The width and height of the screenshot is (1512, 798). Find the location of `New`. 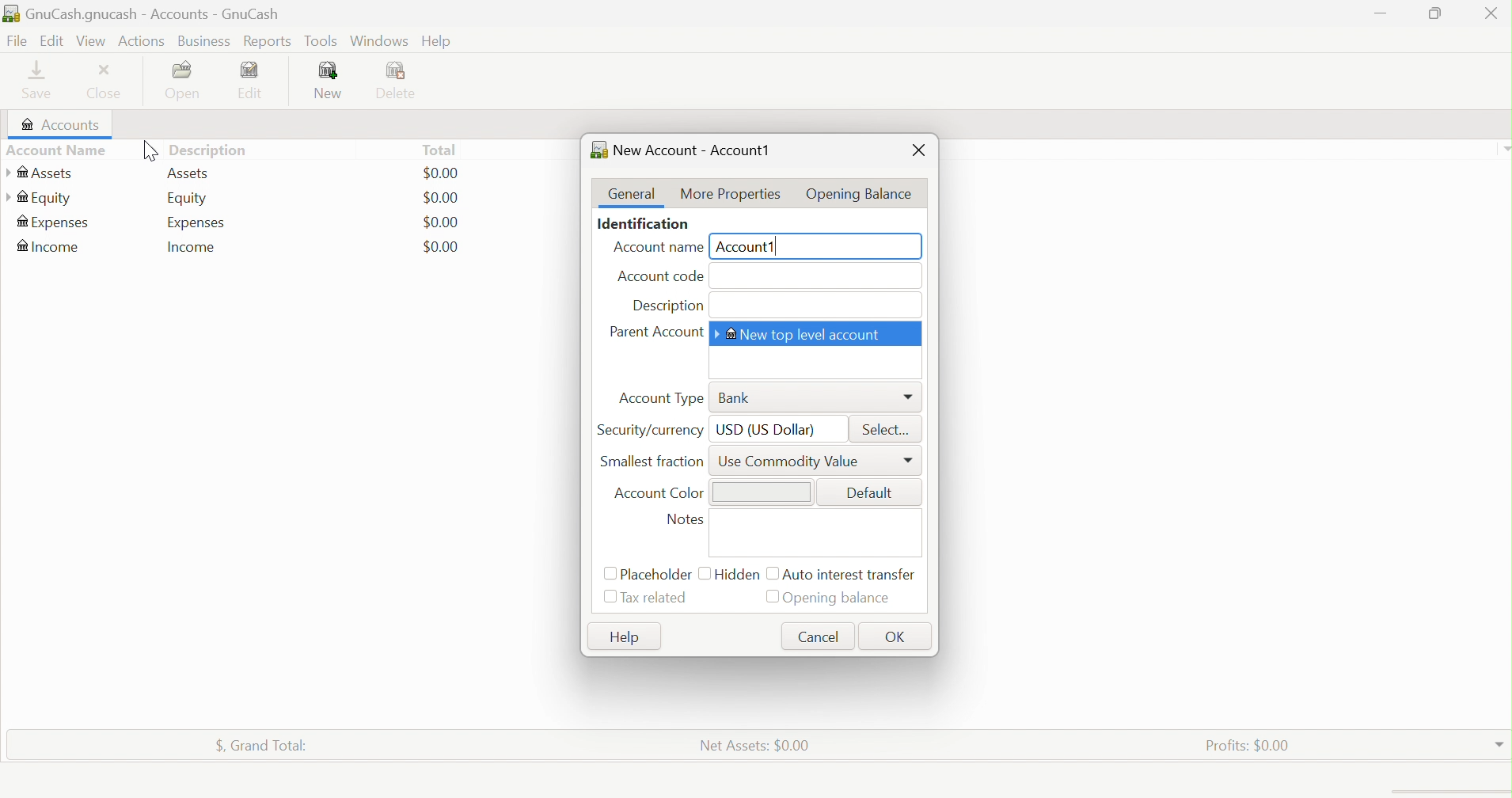

New is located at coordinates (330, 81).